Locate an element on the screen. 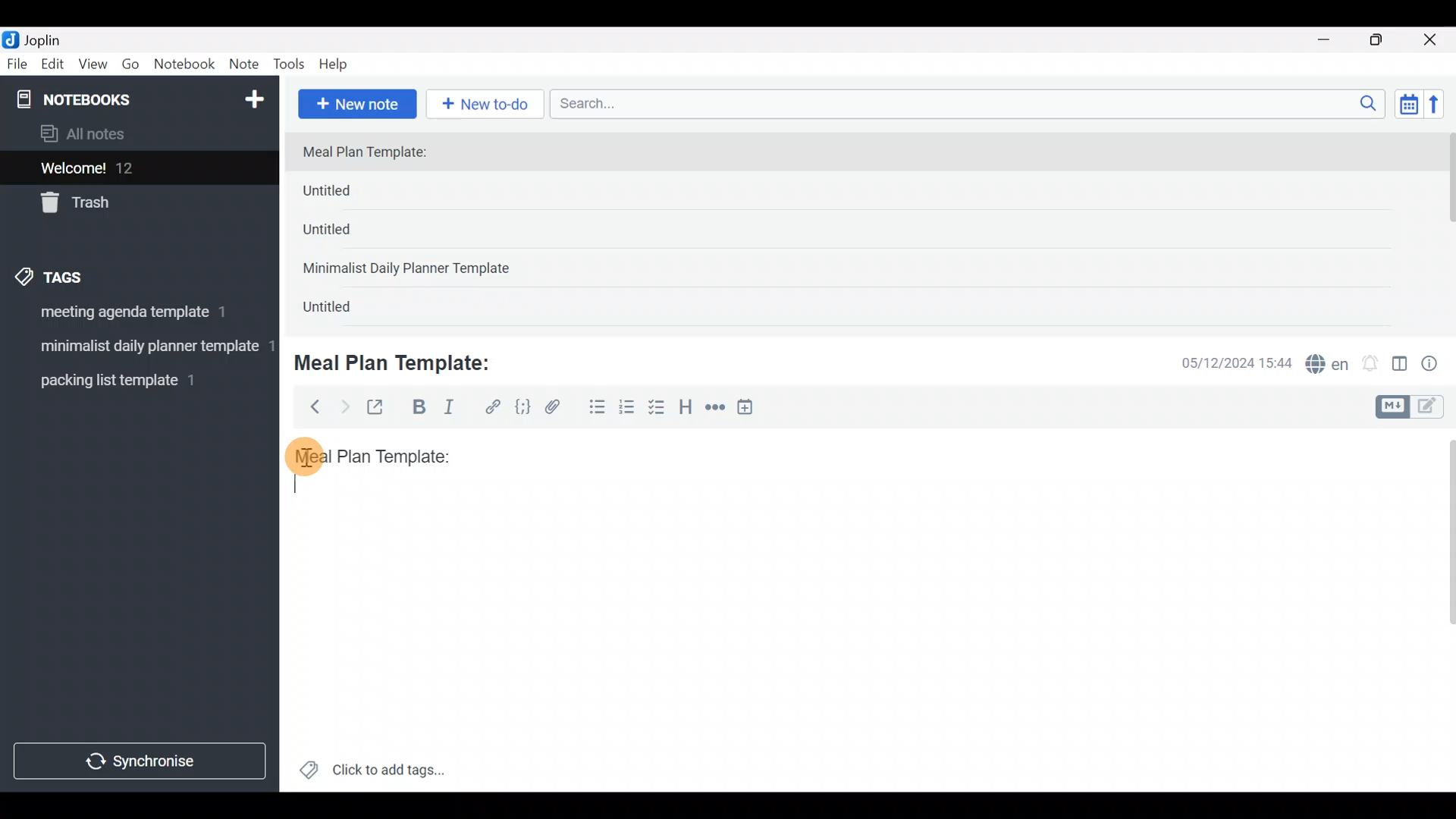 This screenshot has width=1456, height=819. Attach file is located at coordinates (557, 409).